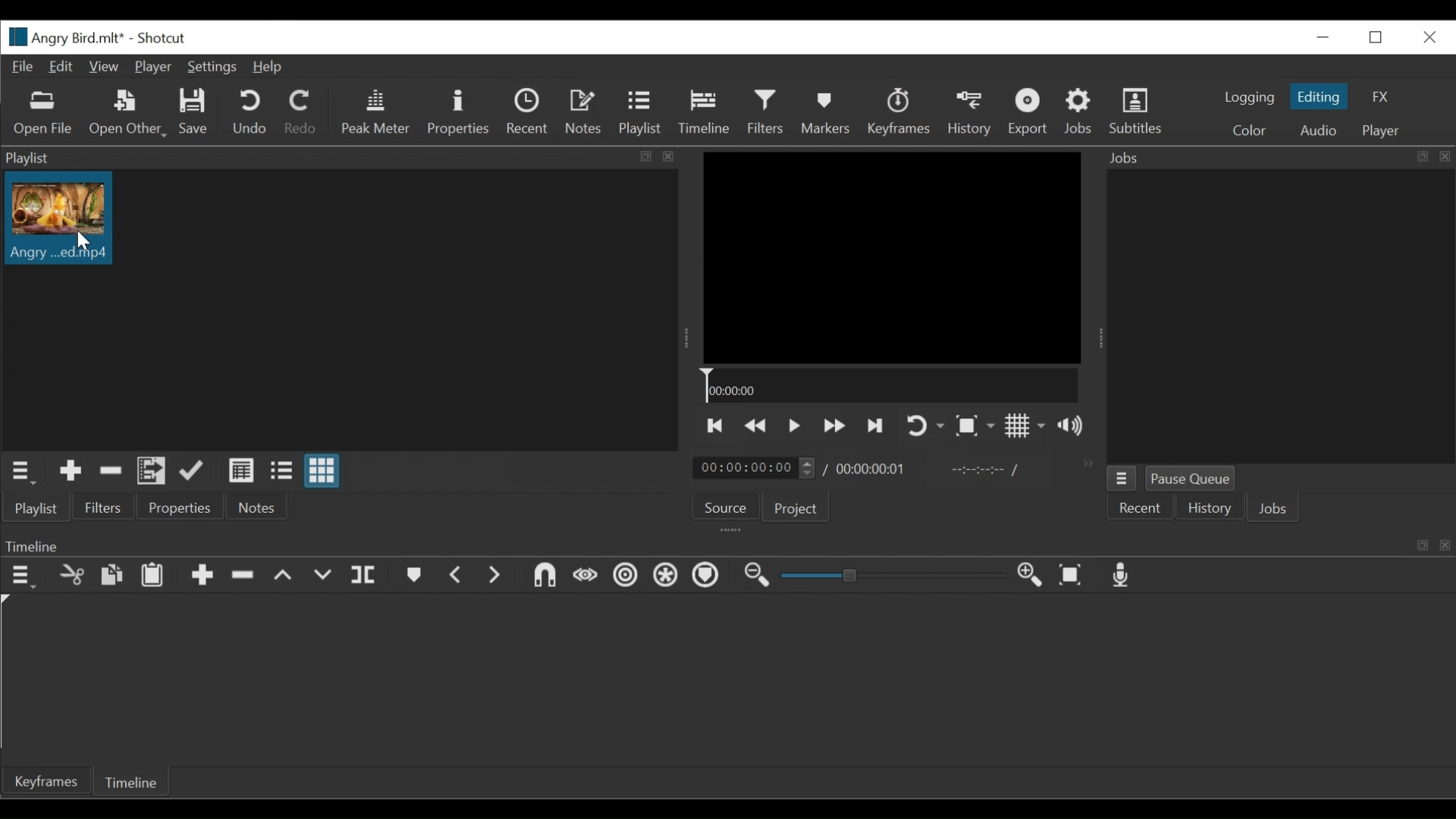 Image resolution: width=1456 pixels, height=819 pixels. Describe the element at coordinates (584, 111) in the screenshot. I see `Notes` at that location.